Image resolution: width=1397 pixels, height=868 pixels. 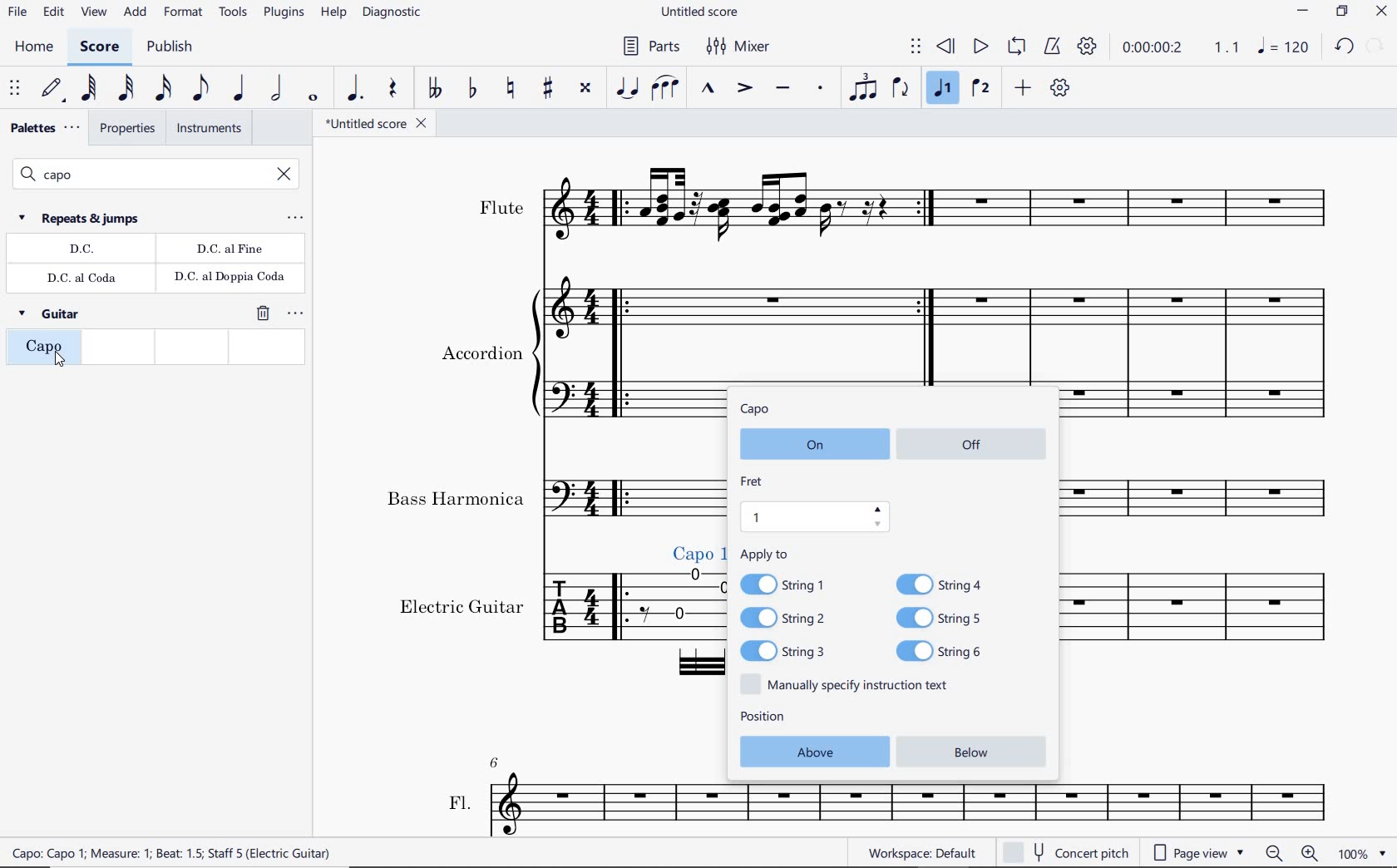 I want to click on whole note, so click(x=313, y=96).